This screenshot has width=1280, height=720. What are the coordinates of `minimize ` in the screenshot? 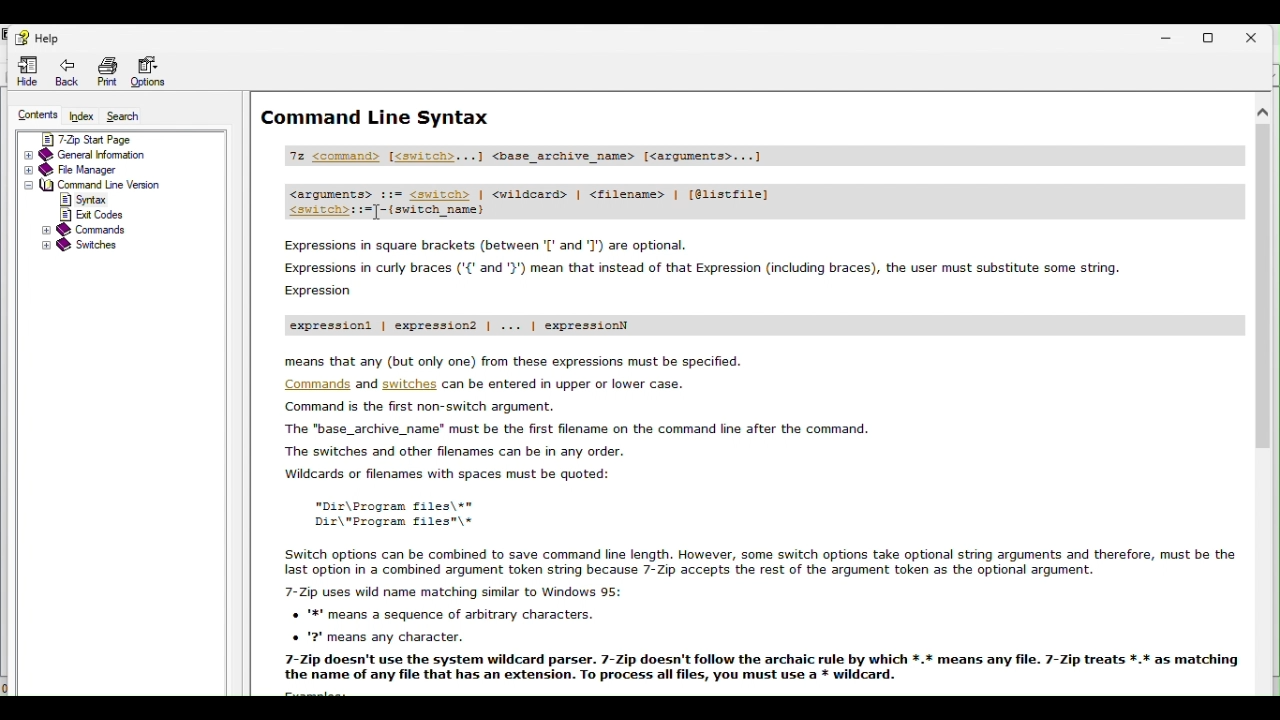 It's located at (1169, 36).